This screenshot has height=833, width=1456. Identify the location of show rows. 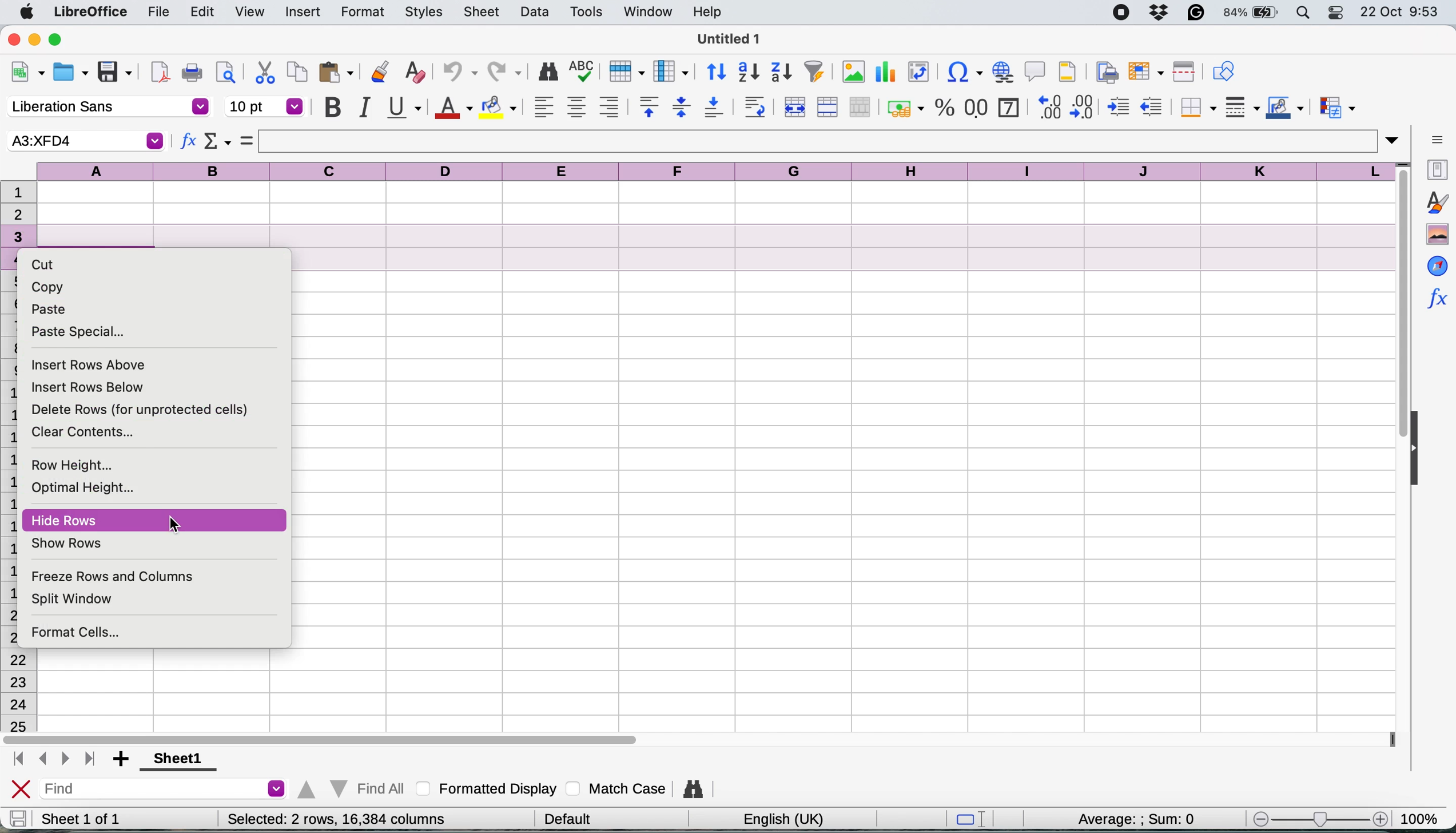
(67, 544).